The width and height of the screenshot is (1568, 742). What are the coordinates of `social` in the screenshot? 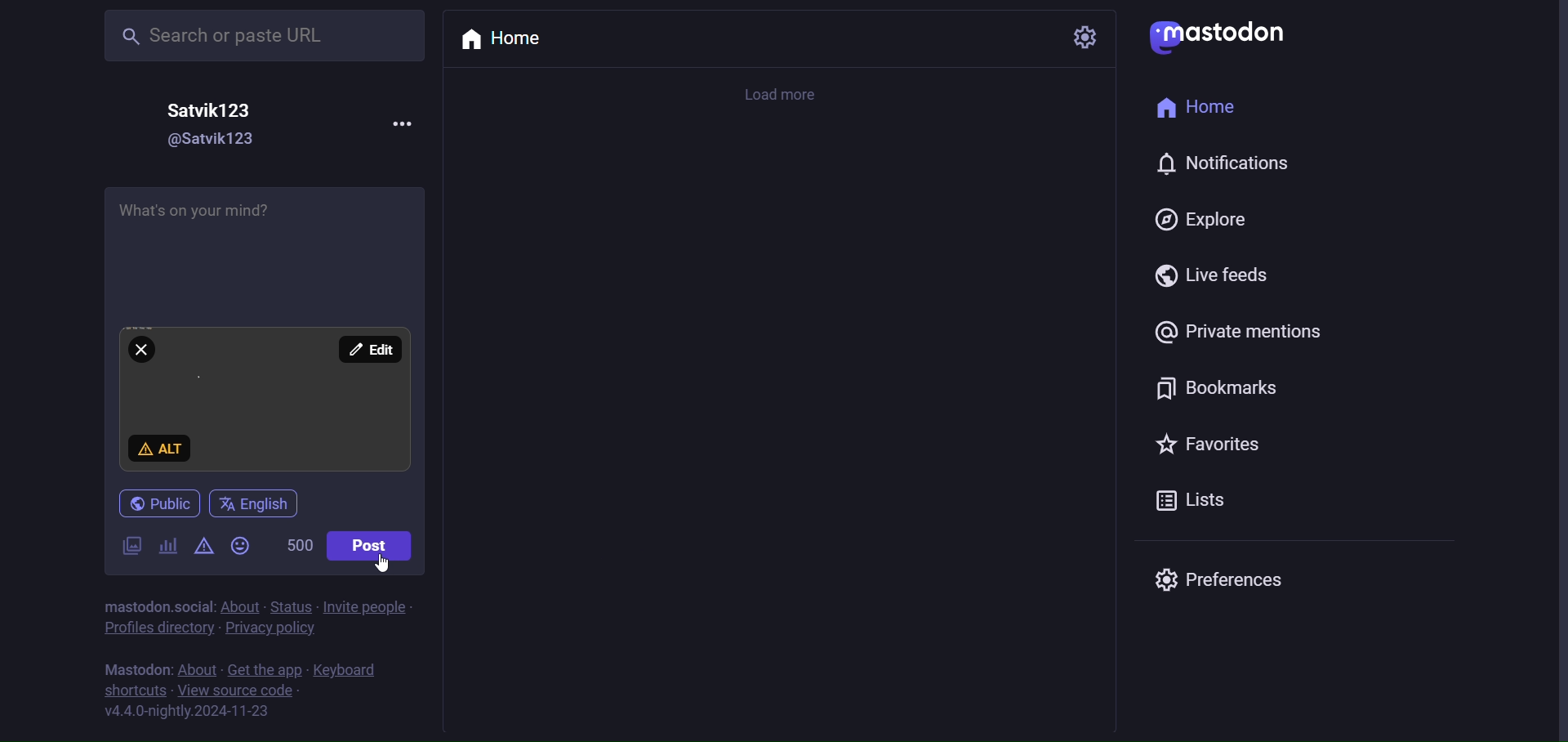 It's located at (193, 606).